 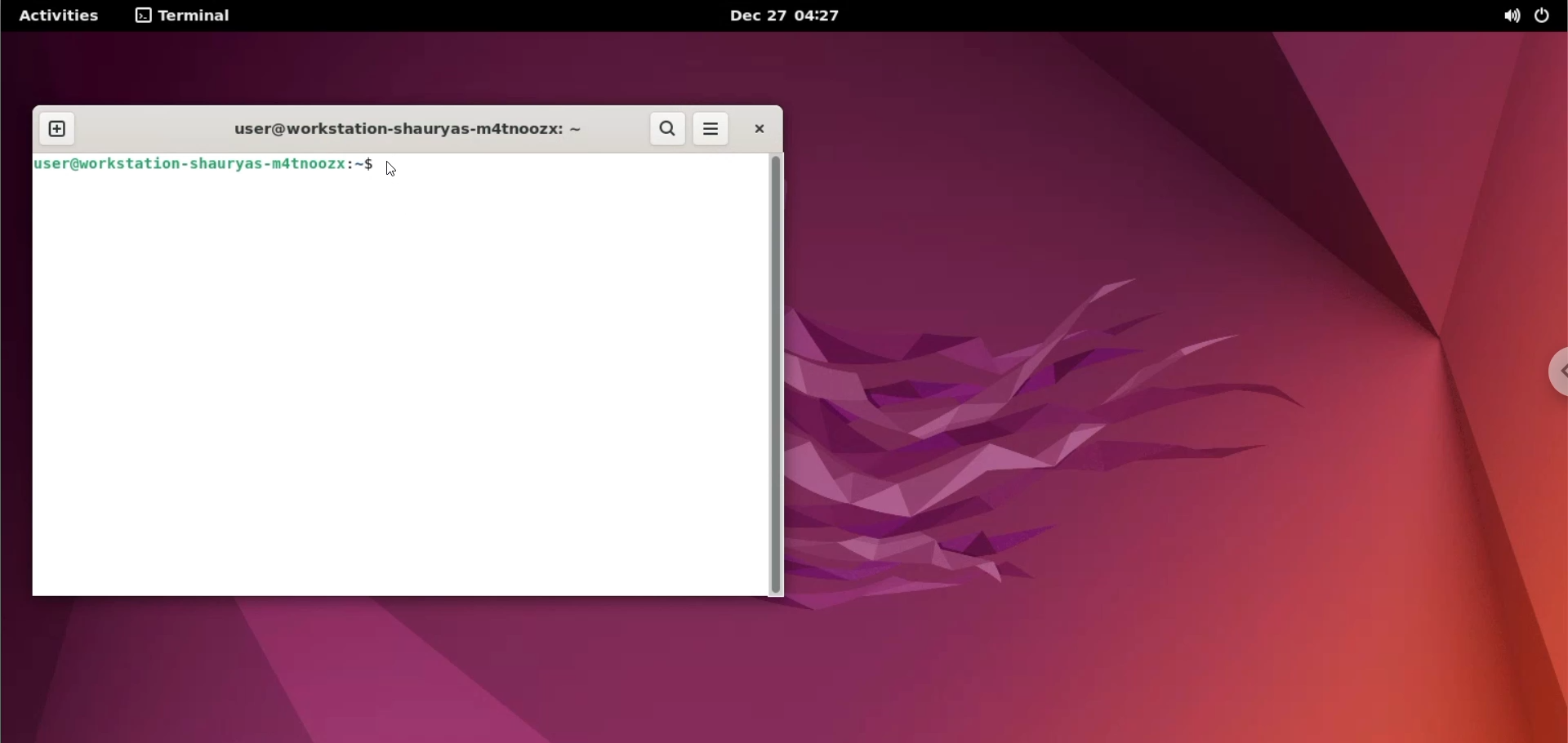 What do you see at coordinates (405, 131) in the screenshot?
I see `user@workstation-shauryas-m4tnoozx:-$` at bounding box center [405, 131].